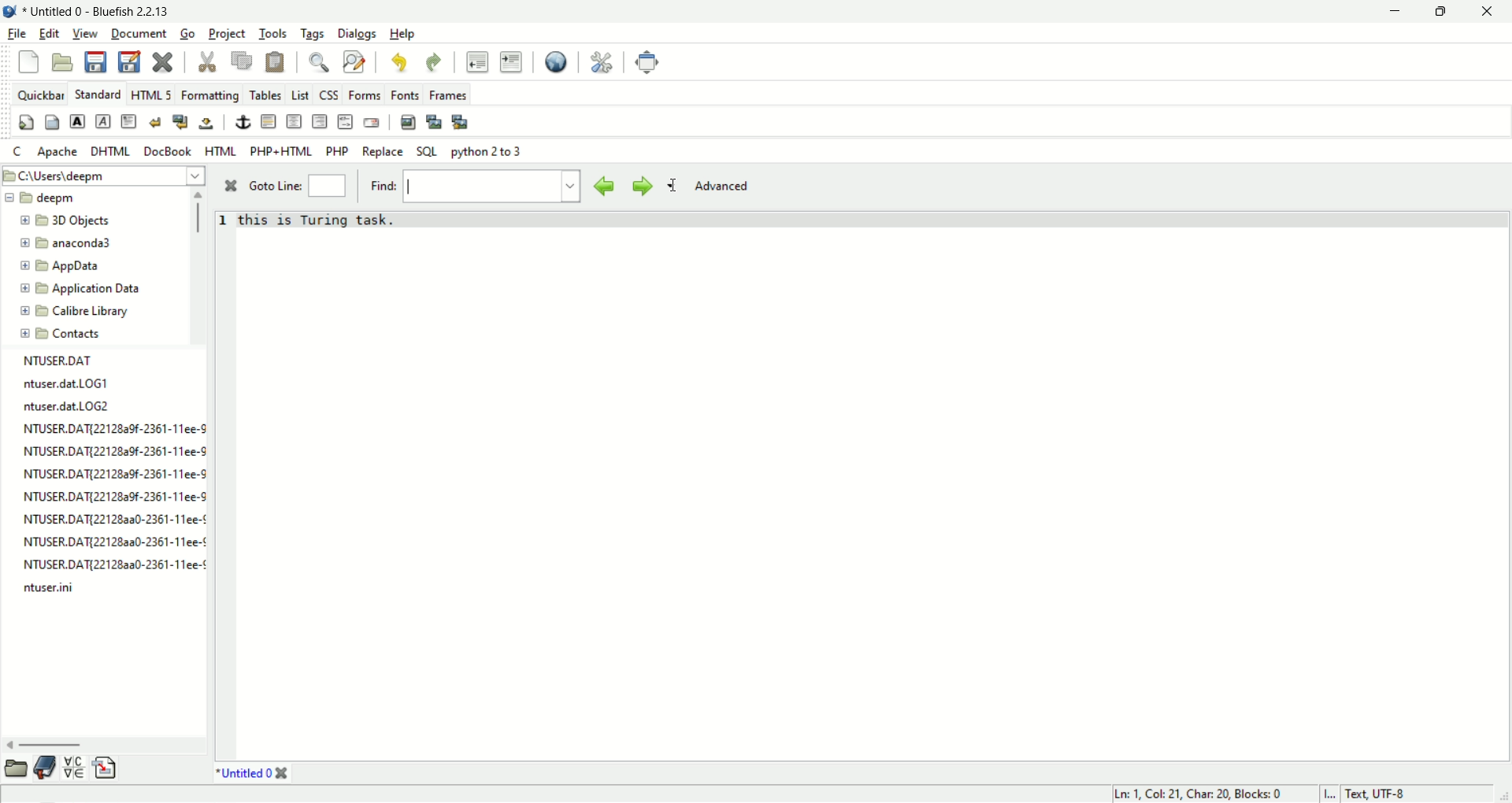  Describe the element at coordinates (28, 61) in the screenshot. I see `New file` at that location.